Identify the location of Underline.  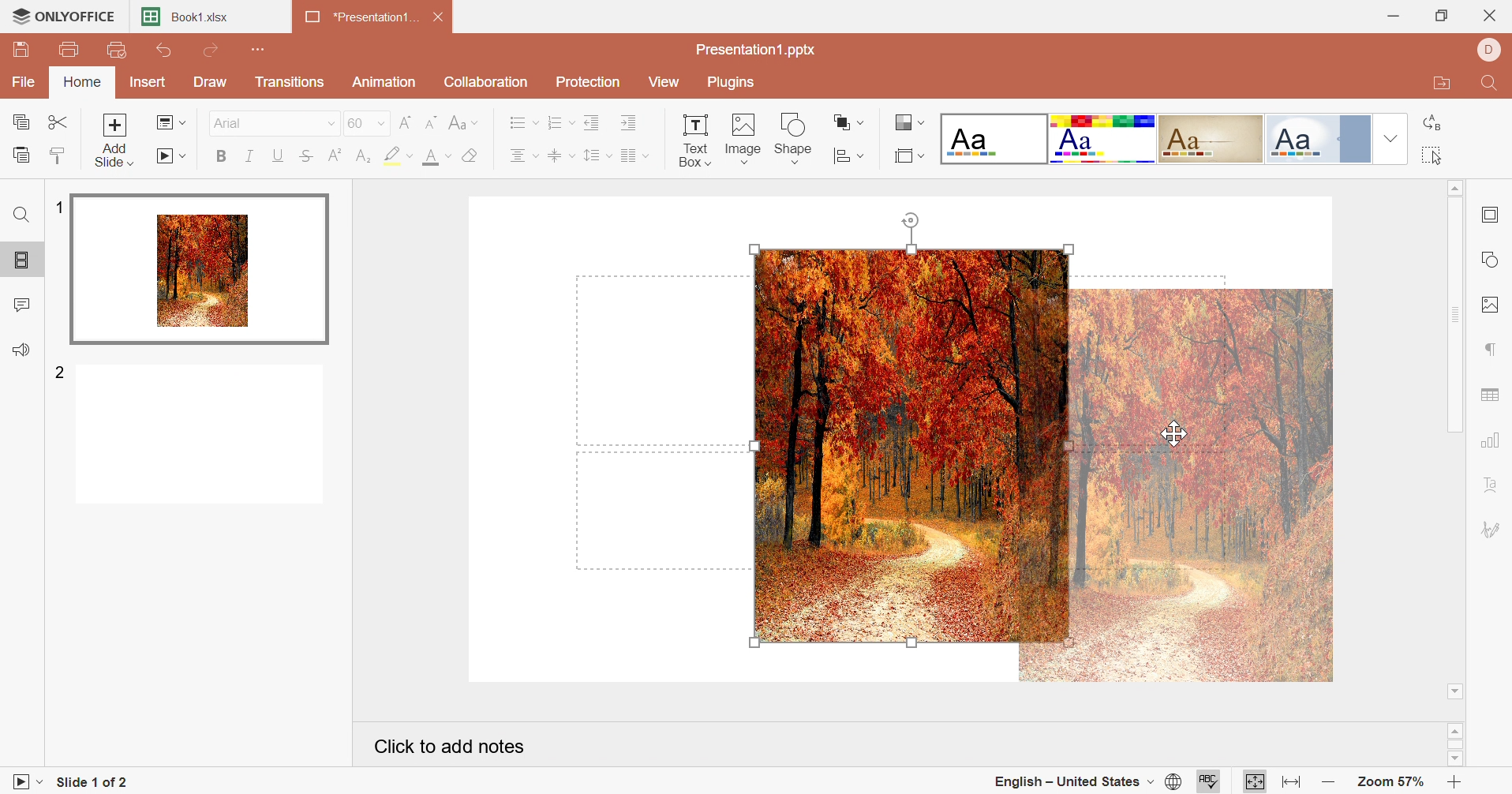
(276, 155).